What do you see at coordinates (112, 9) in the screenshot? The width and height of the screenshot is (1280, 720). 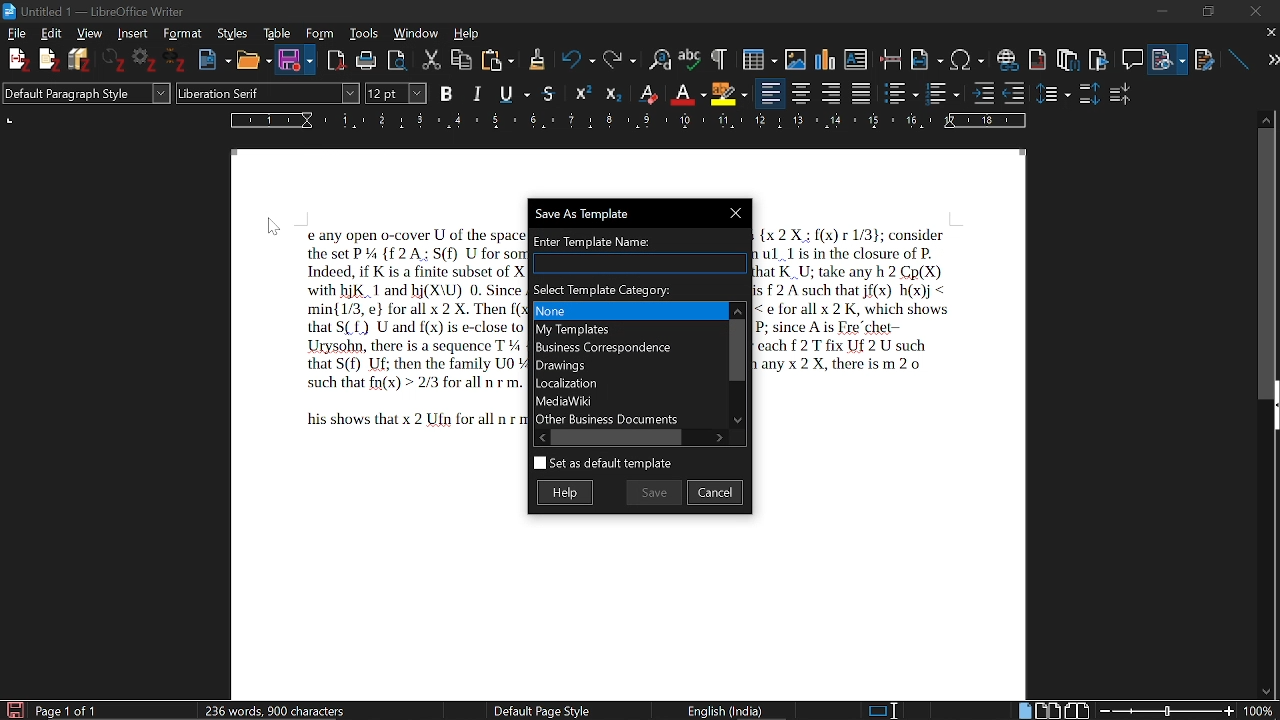 I see `Untitled - LibreOffice Writer` at bounding box center [112, 9].